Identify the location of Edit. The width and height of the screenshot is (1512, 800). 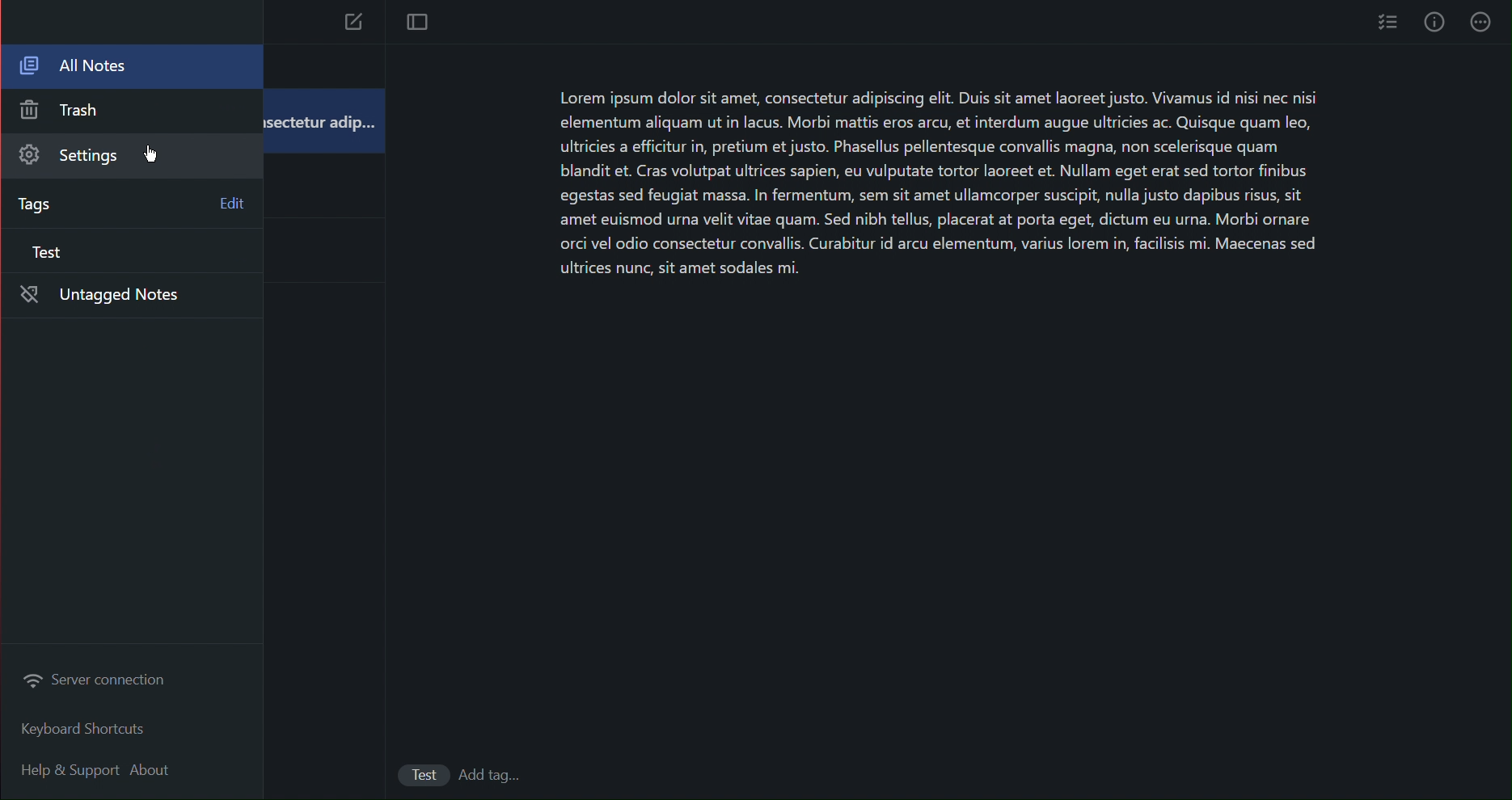
(228, 203).